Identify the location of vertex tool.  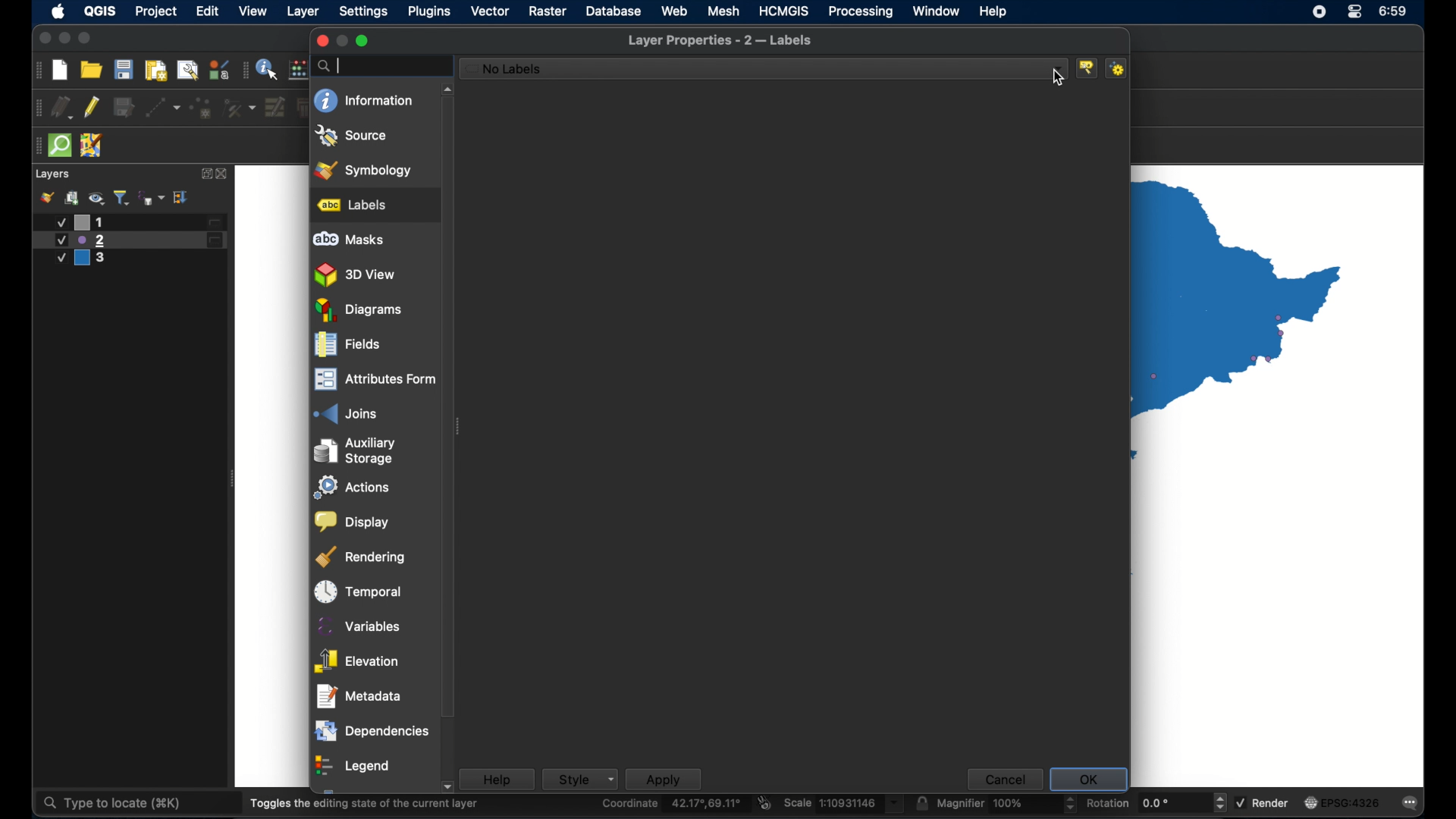
(240, 108).